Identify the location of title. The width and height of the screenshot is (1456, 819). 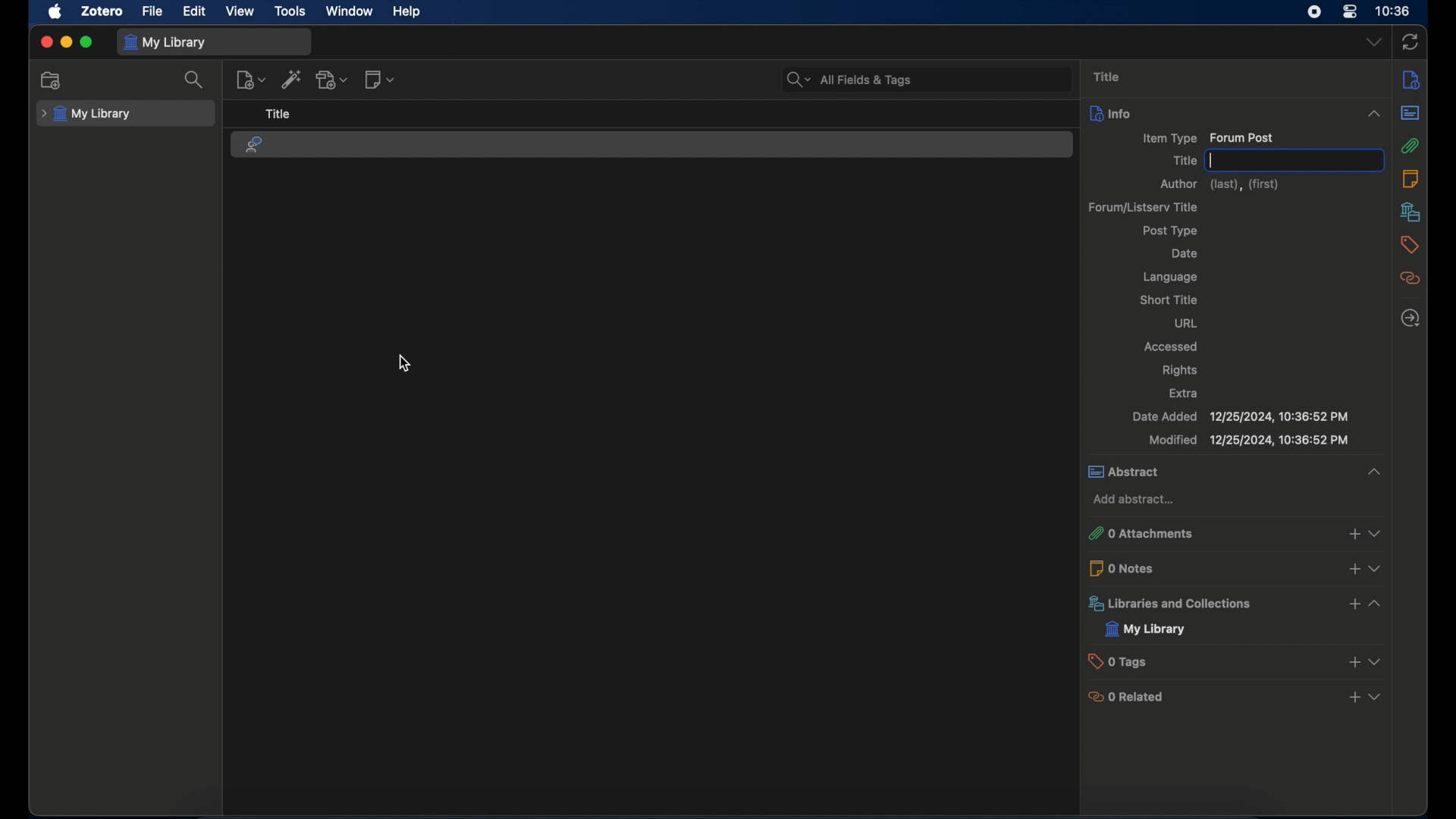
(1184, 161).